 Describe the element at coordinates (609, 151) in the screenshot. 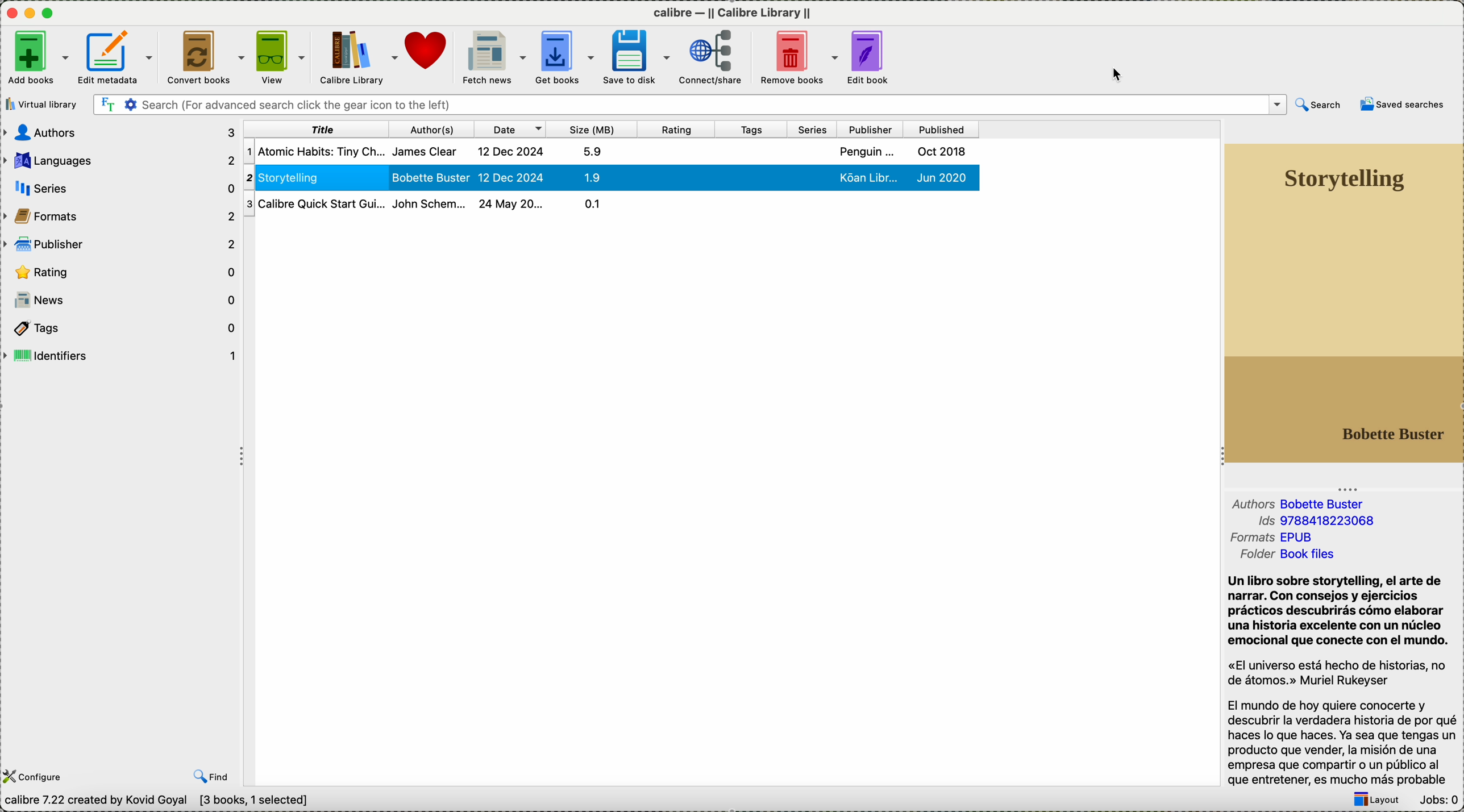

I see `first book` at that location.